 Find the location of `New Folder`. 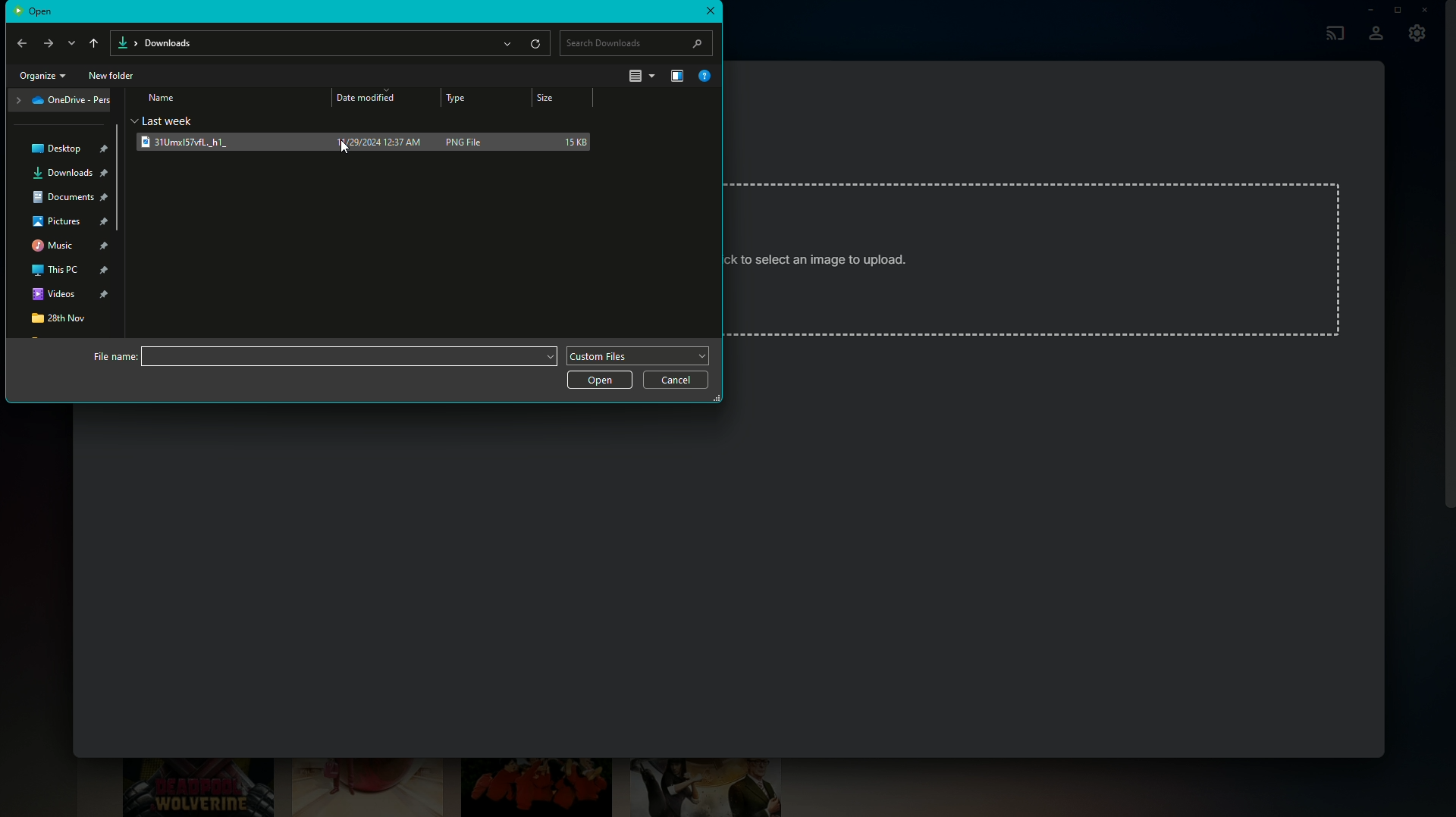

New Folder is located at coordinates (112, 77).